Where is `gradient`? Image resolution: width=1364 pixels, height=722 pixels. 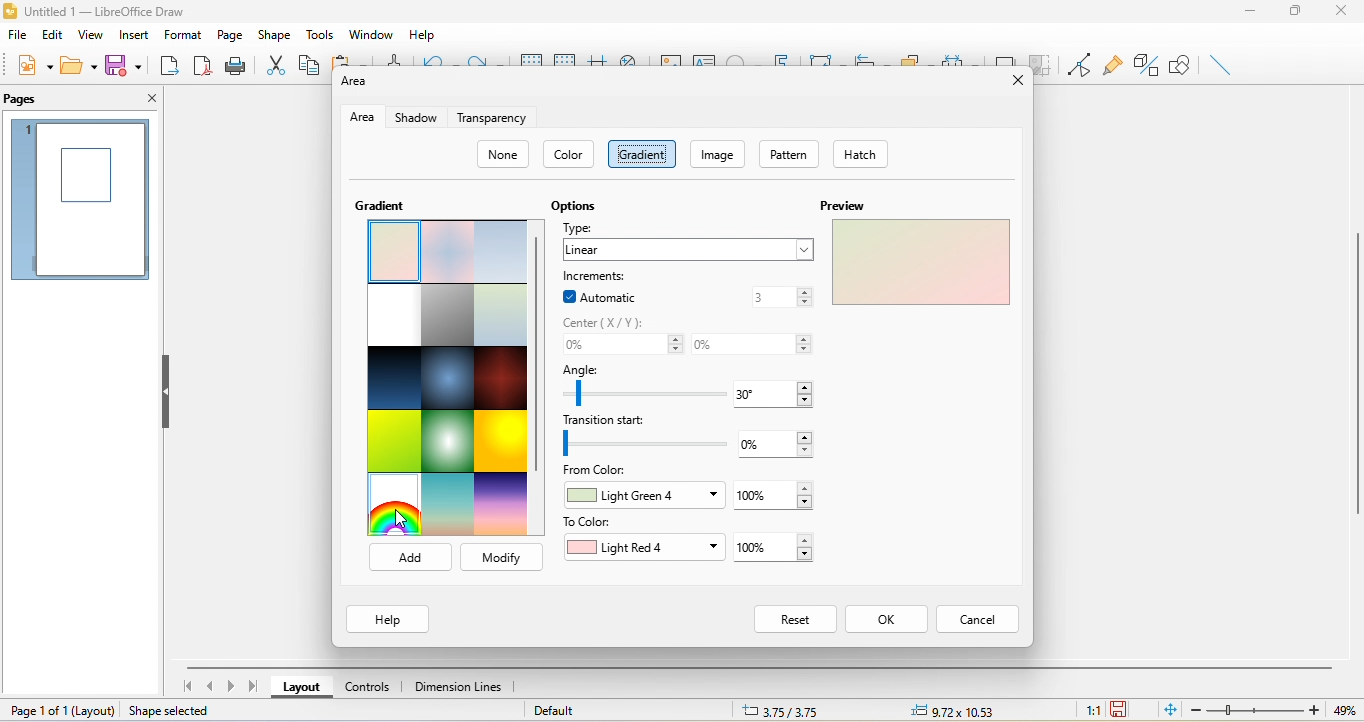
gradient is located at coordinates (378, 205).